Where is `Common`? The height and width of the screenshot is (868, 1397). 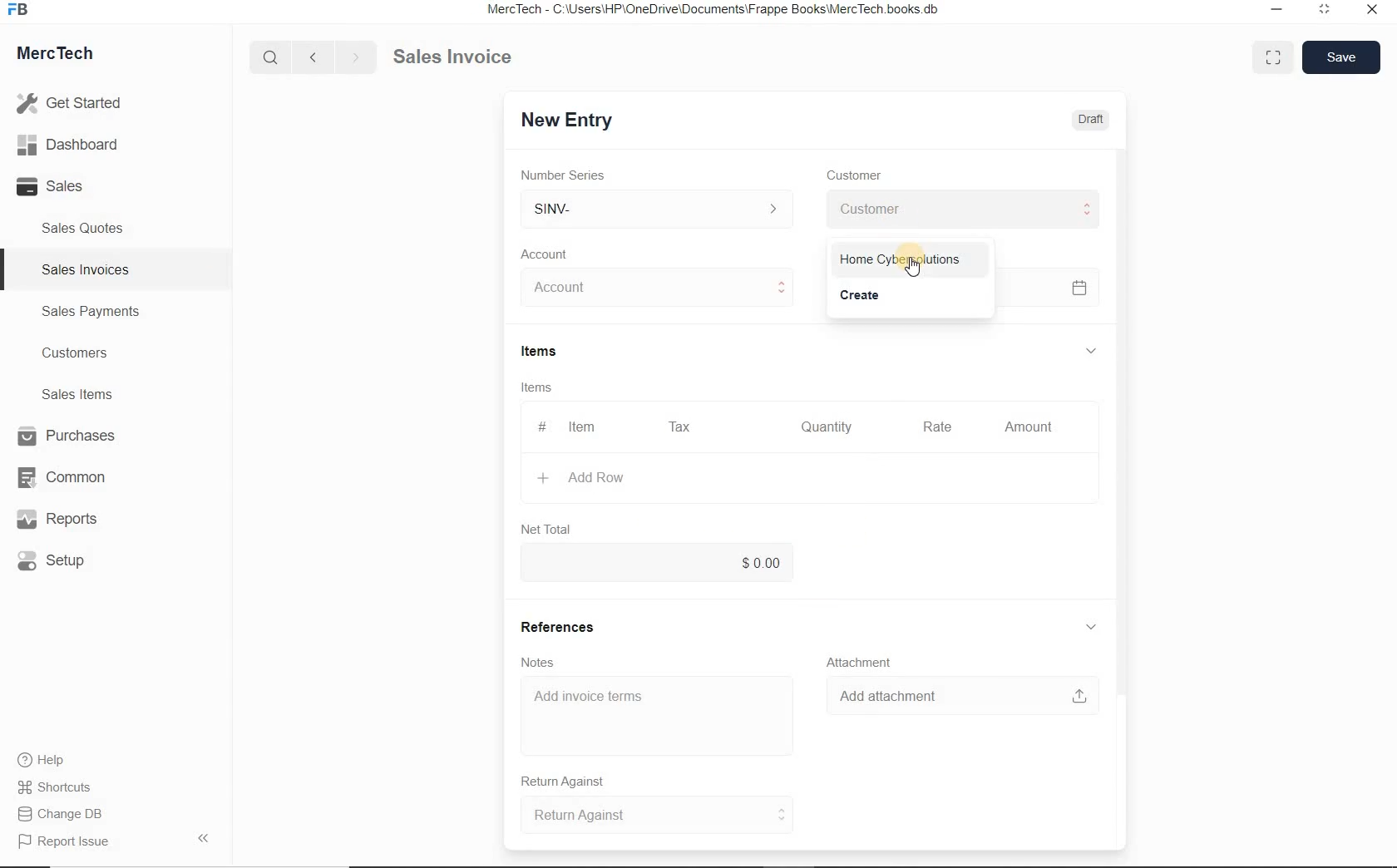
Common is located at coordinates (69, 476).